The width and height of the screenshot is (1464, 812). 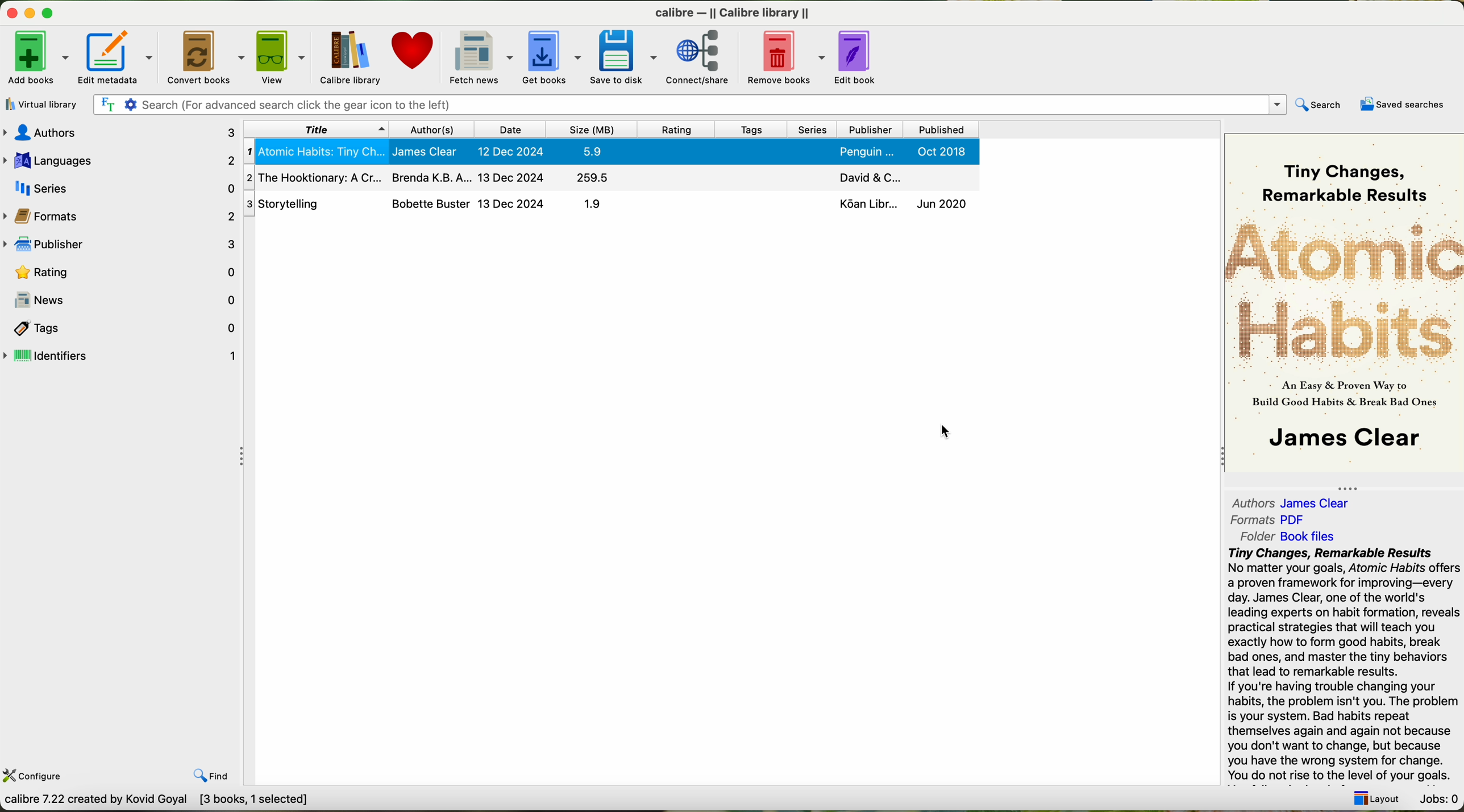 I want to click on James Clear, so click(x=1341, y=440).